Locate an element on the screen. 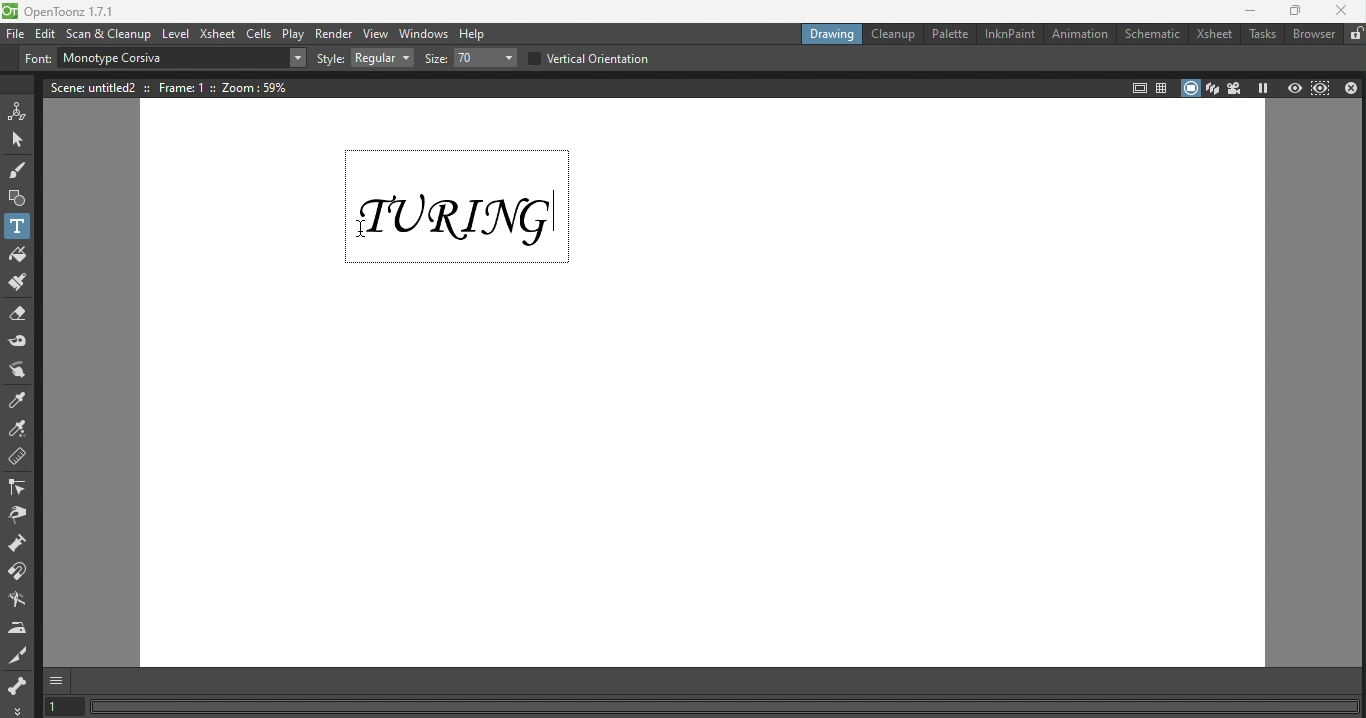 Image resolution: width=1366 pixels, height=718 pixels. TURING is located at coordinates (463, 201).